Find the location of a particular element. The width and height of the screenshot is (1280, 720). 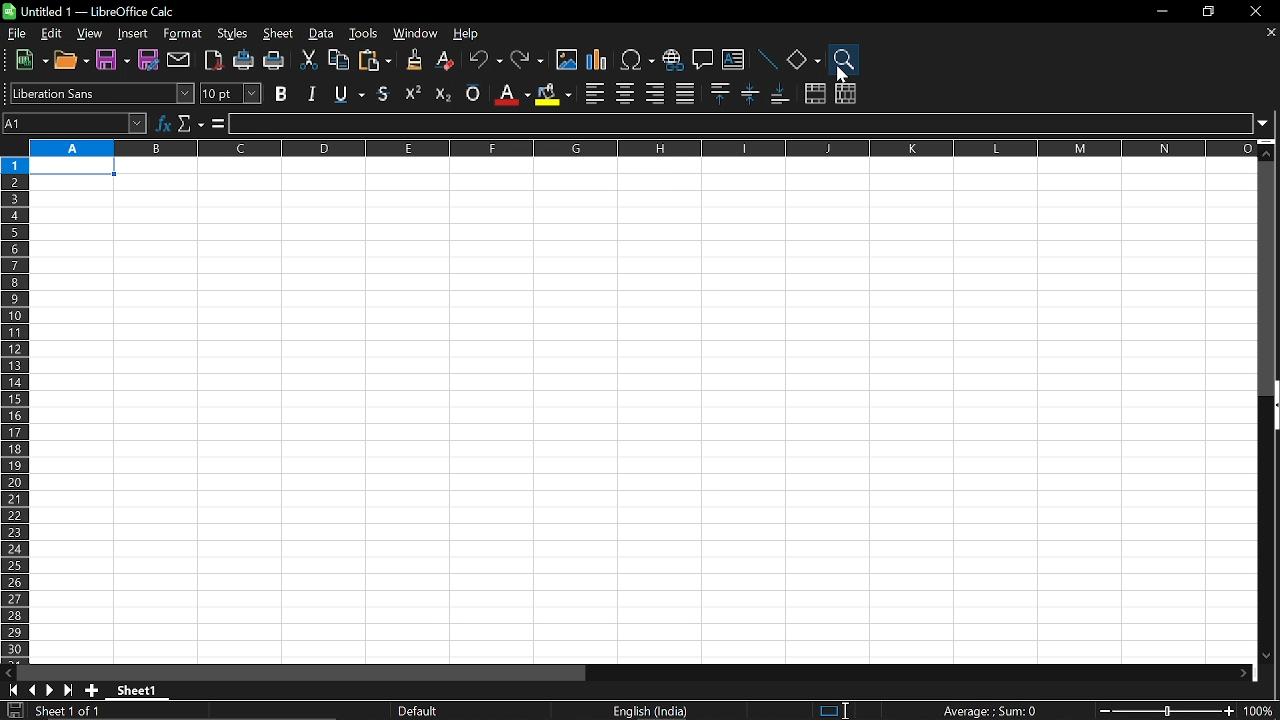

vertical scrollbar is located at coordinates (1272, 407).